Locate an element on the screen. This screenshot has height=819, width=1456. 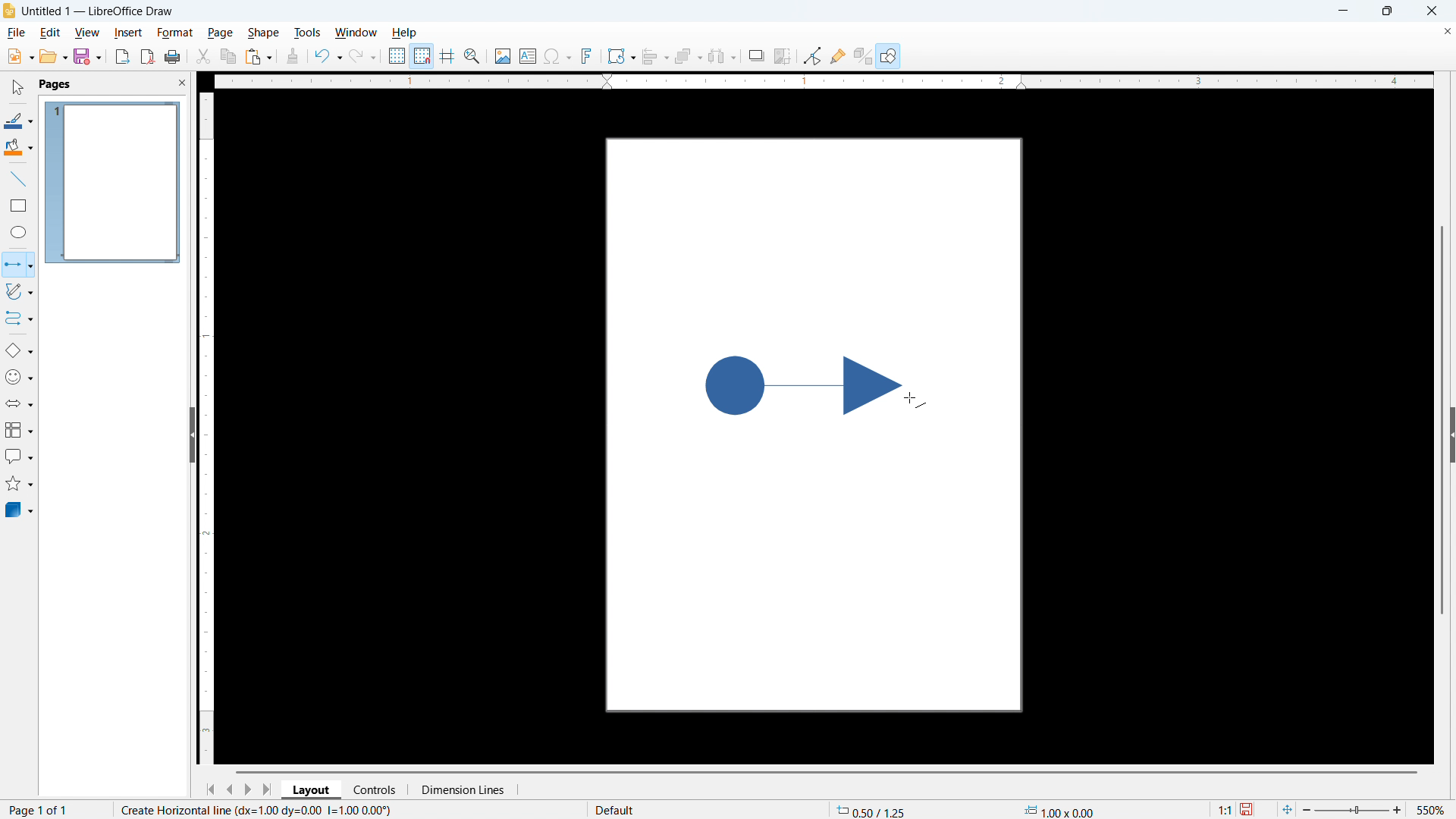
Redo  is located at coordinates (362, 57).